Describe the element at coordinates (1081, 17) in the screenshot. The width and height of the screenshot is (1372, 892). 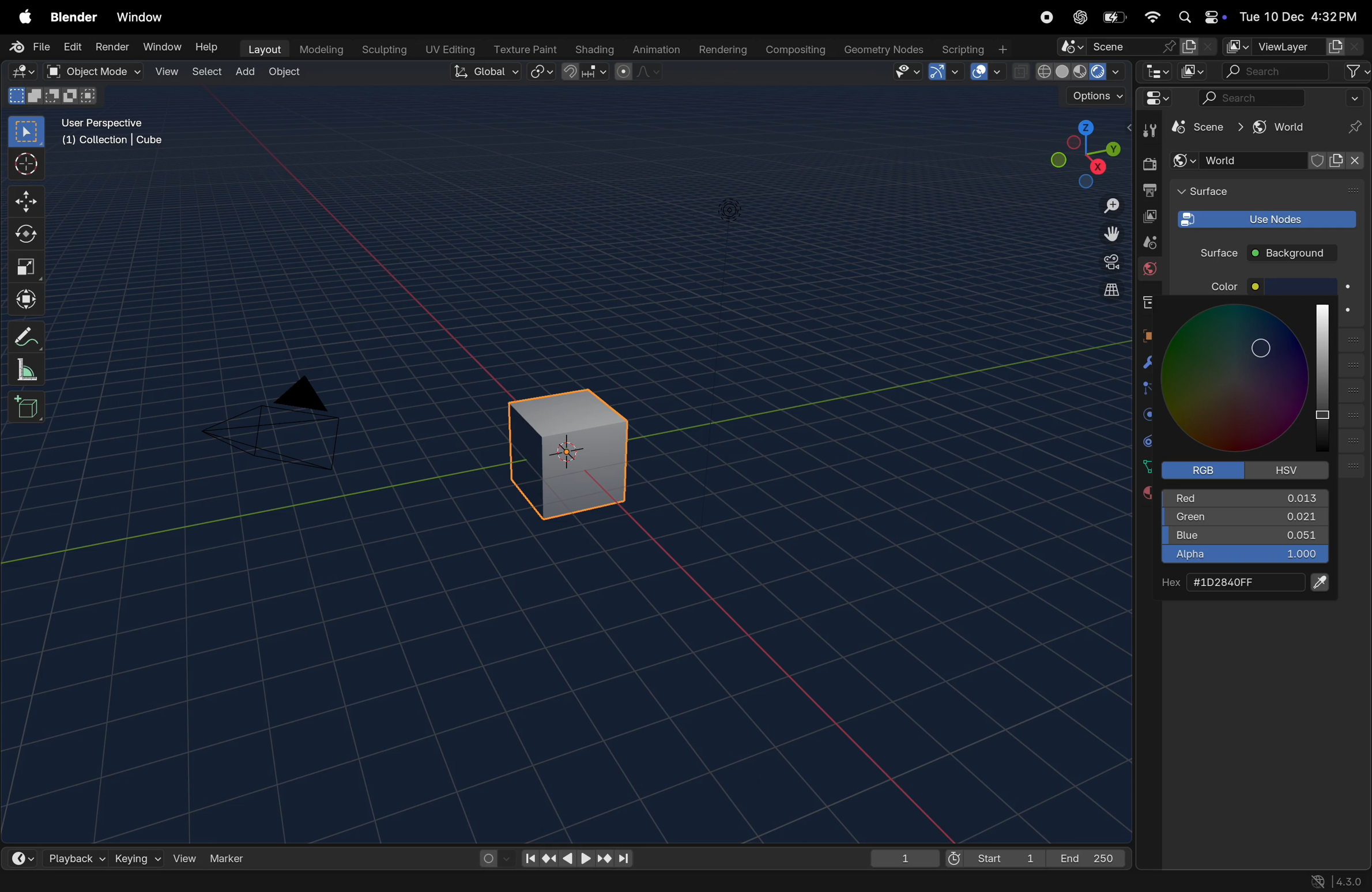
I see `chatgpt` at that location.